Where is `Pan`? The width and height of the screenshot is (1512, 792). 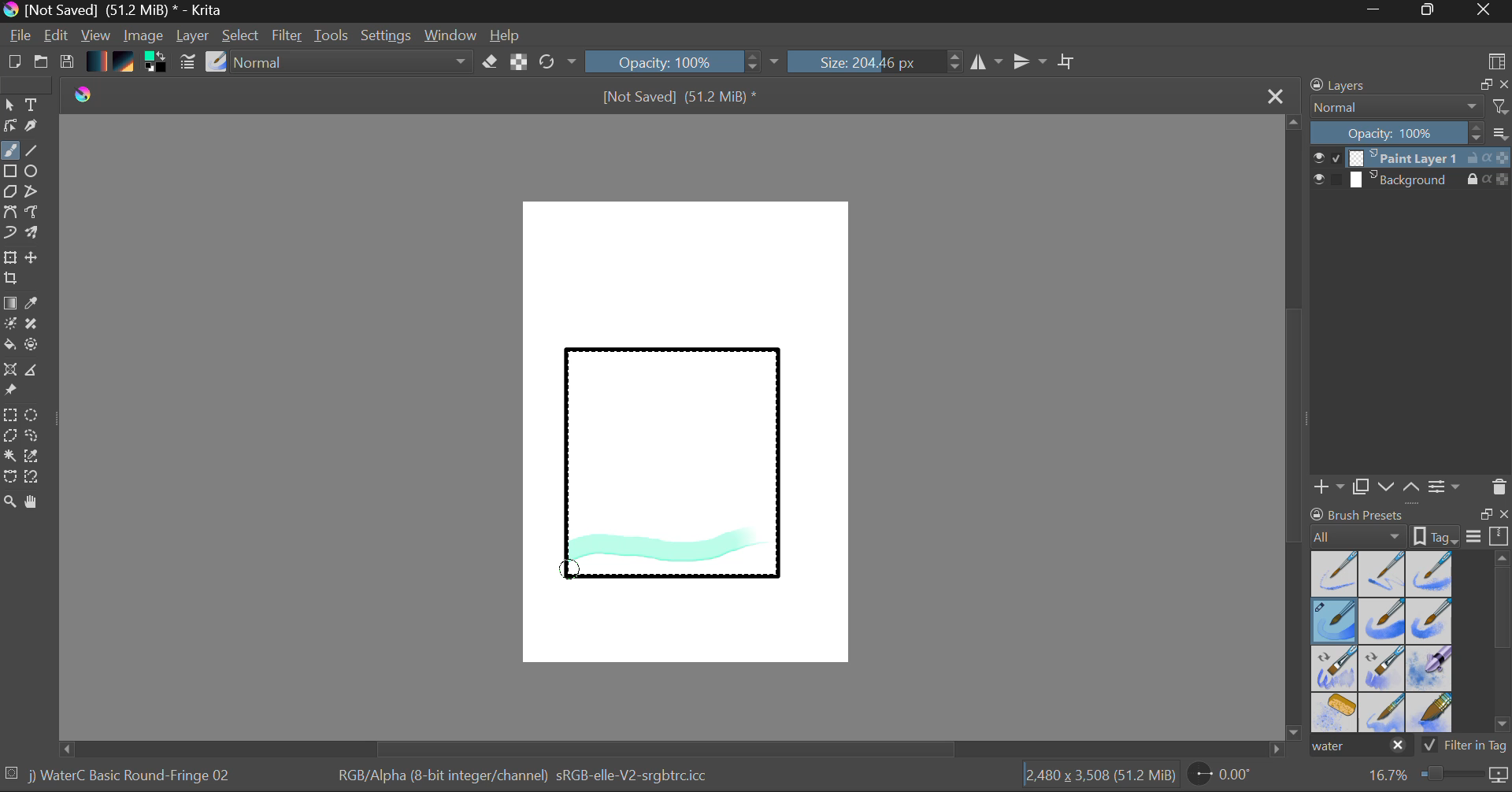 Pan is located at coordinates (37, 505).